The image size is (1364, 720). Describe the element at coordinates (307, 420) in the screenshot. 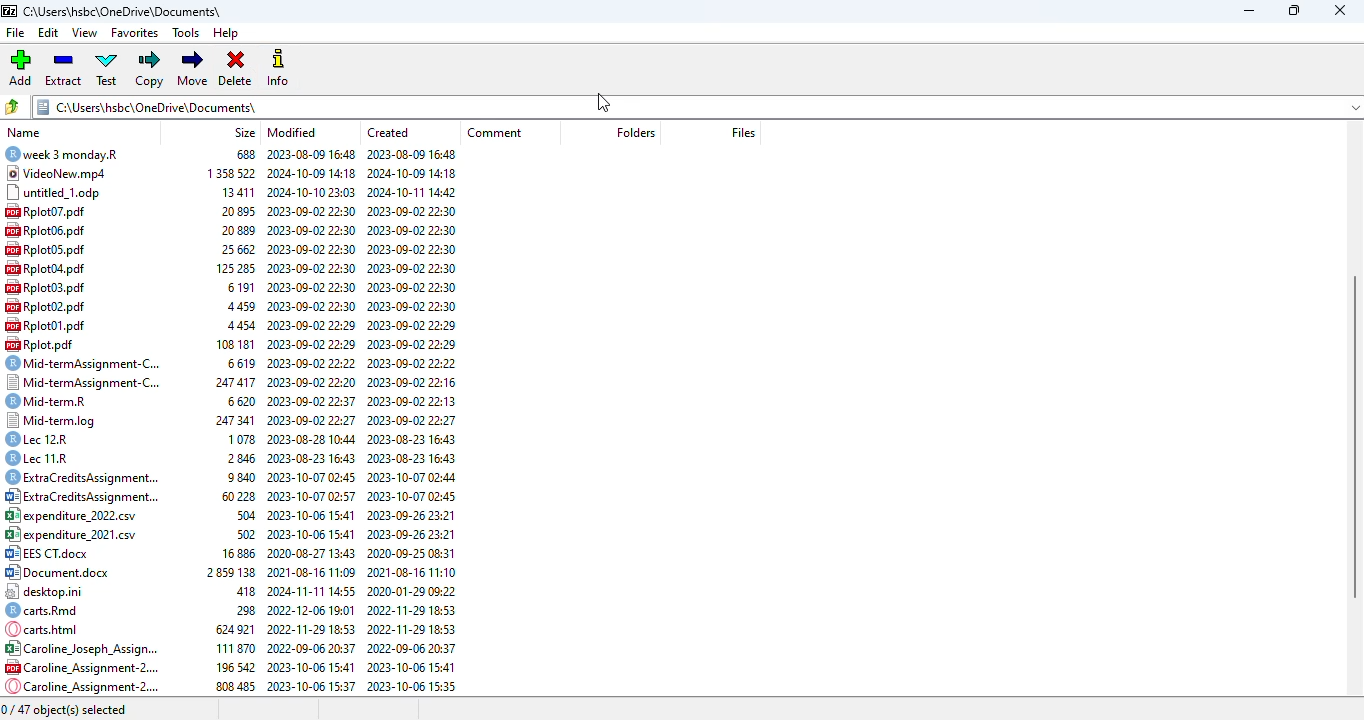

I see `2023-09-02 22-27` at that location.